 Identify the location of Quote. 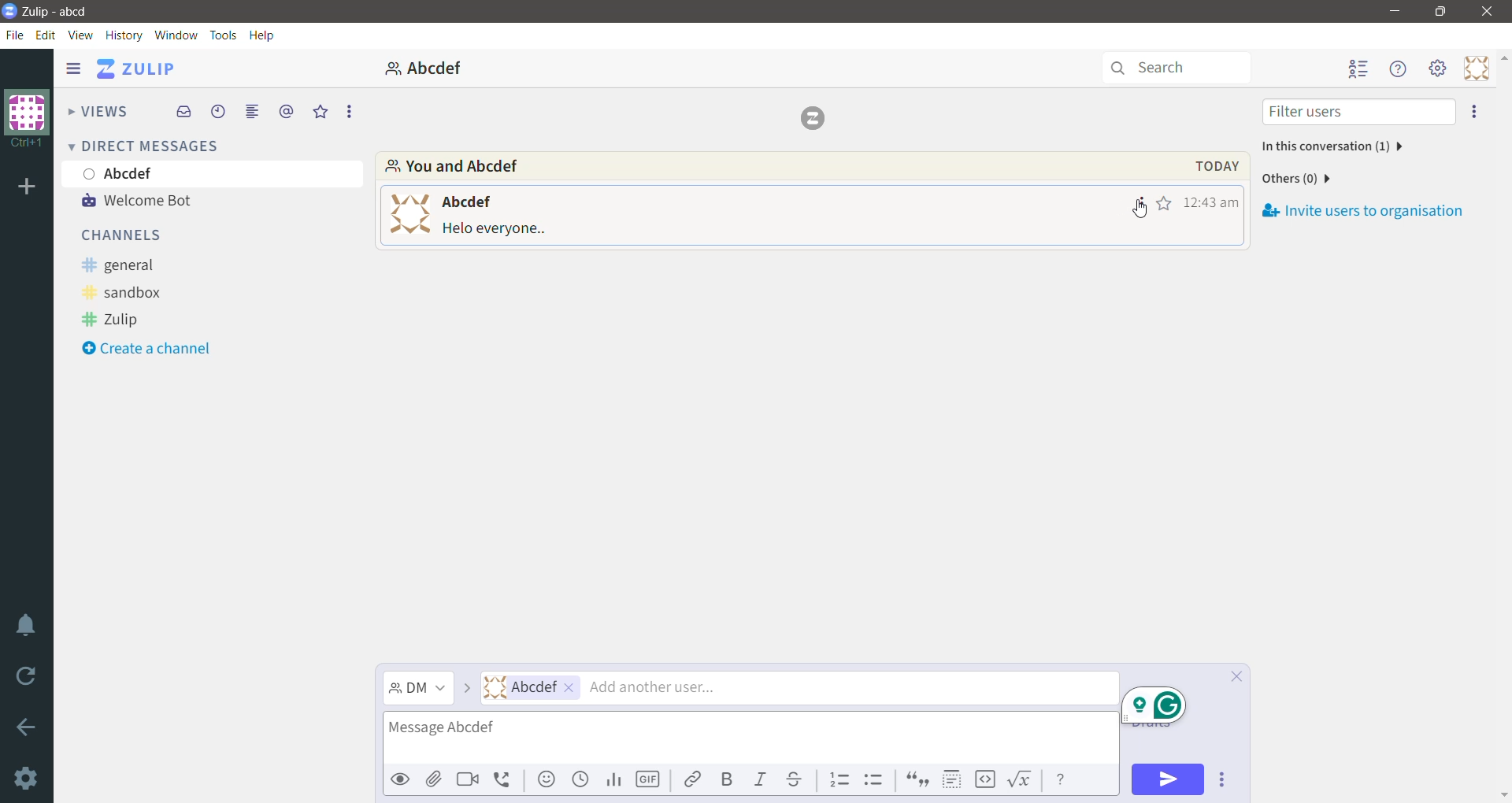
(918, 779).